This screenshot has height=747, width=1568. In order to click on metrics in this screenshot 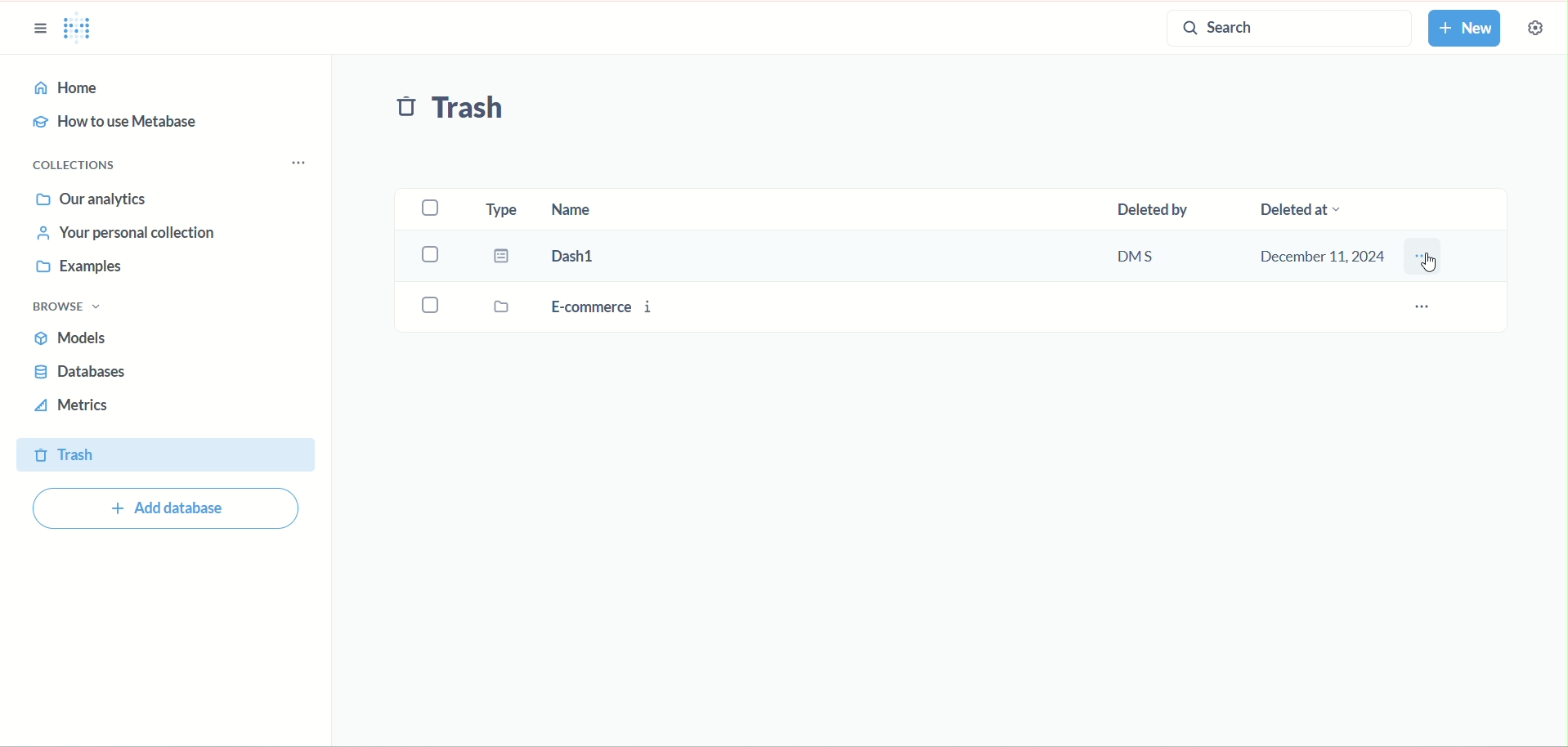, I will do `click(78, 406)`.